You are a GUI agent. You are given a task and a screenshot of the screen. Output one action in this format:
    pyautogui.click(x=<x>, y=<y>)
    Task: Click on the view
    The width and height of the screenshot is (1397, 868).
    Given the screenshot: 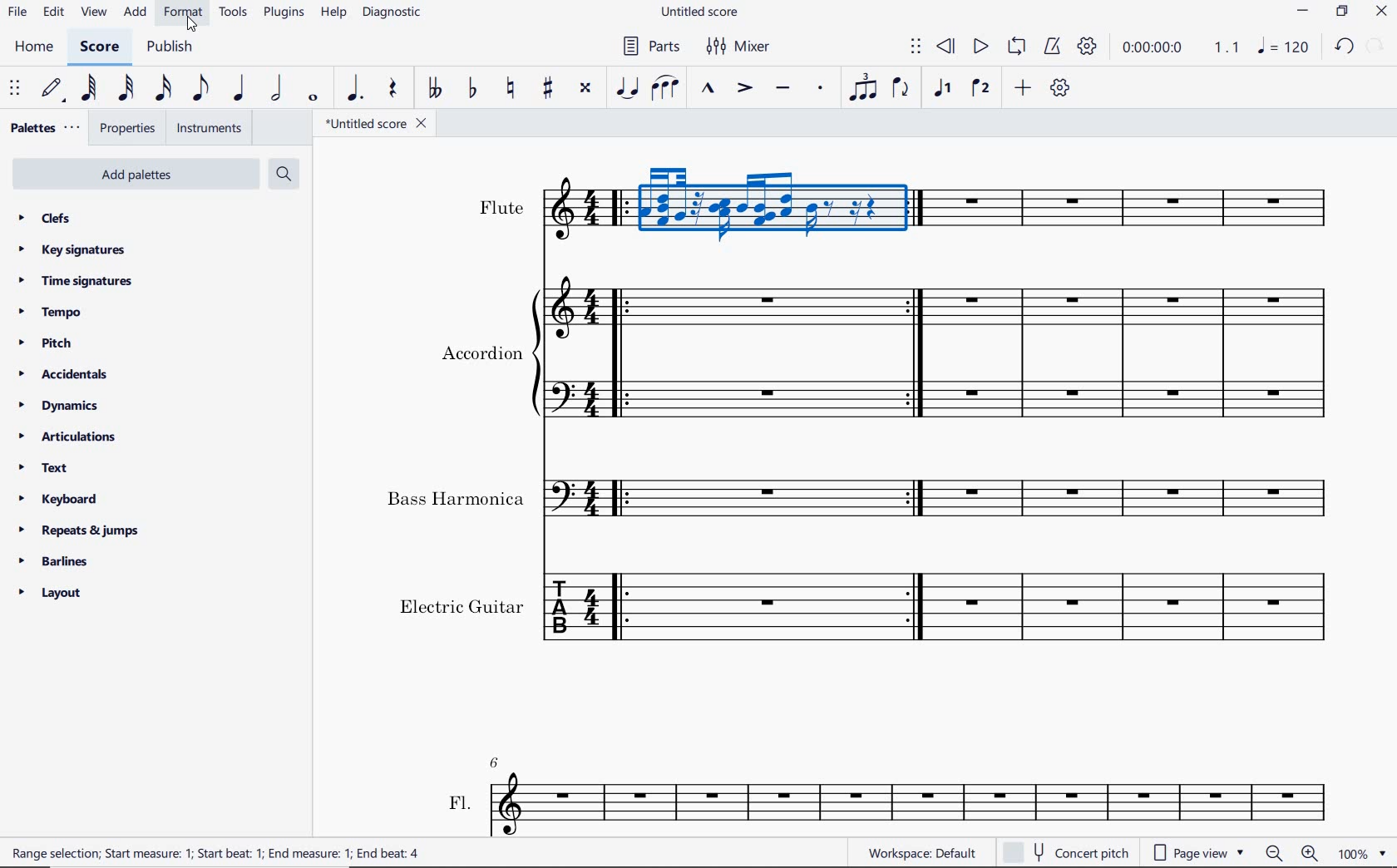 What is the action you would take?
    pyautogui.click(x=91, y=12)
    